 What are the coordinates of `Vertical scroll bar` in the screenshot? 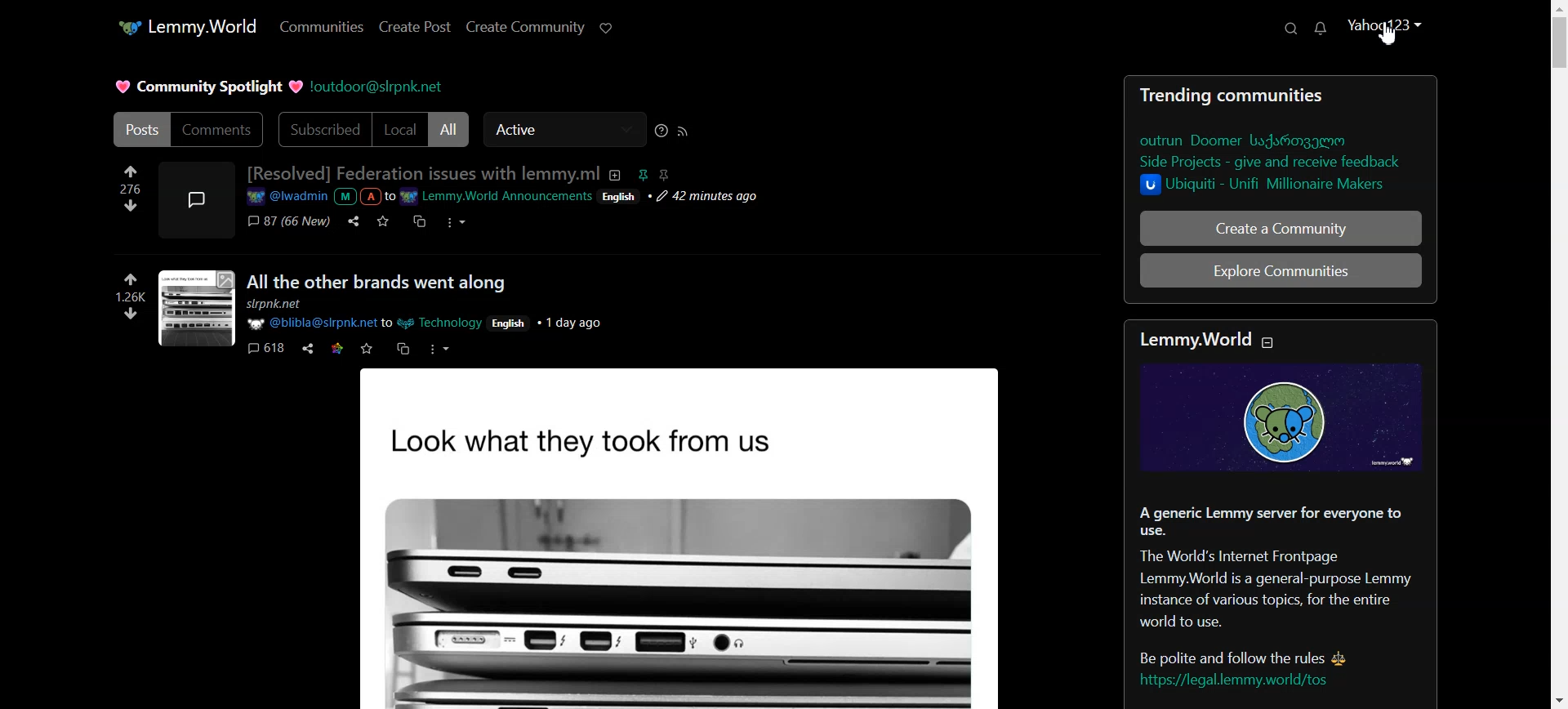 It's located at (1558, 354).